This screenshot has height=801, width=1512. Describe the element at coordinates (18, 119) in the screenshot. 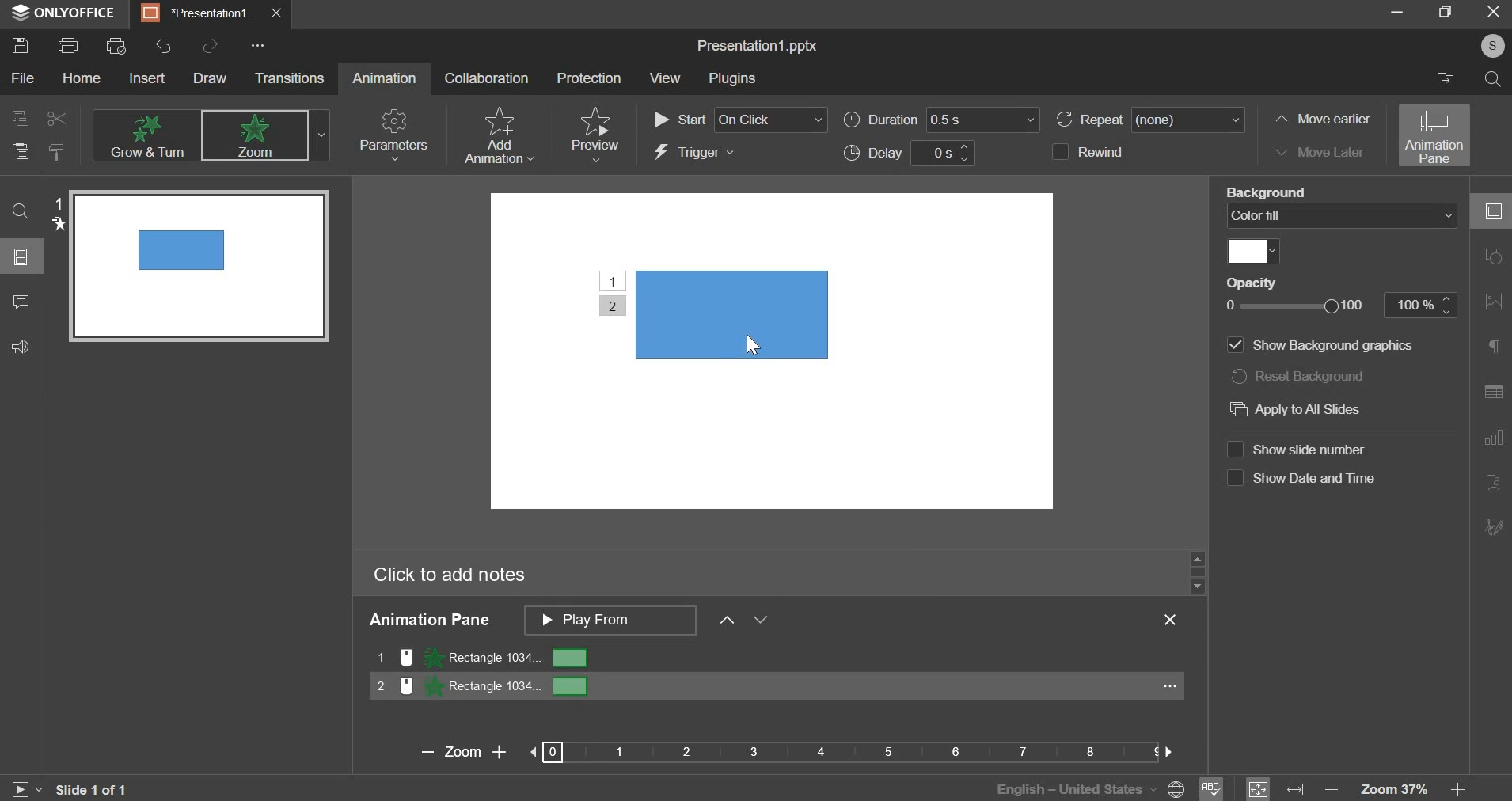

I see `copy` at that location.